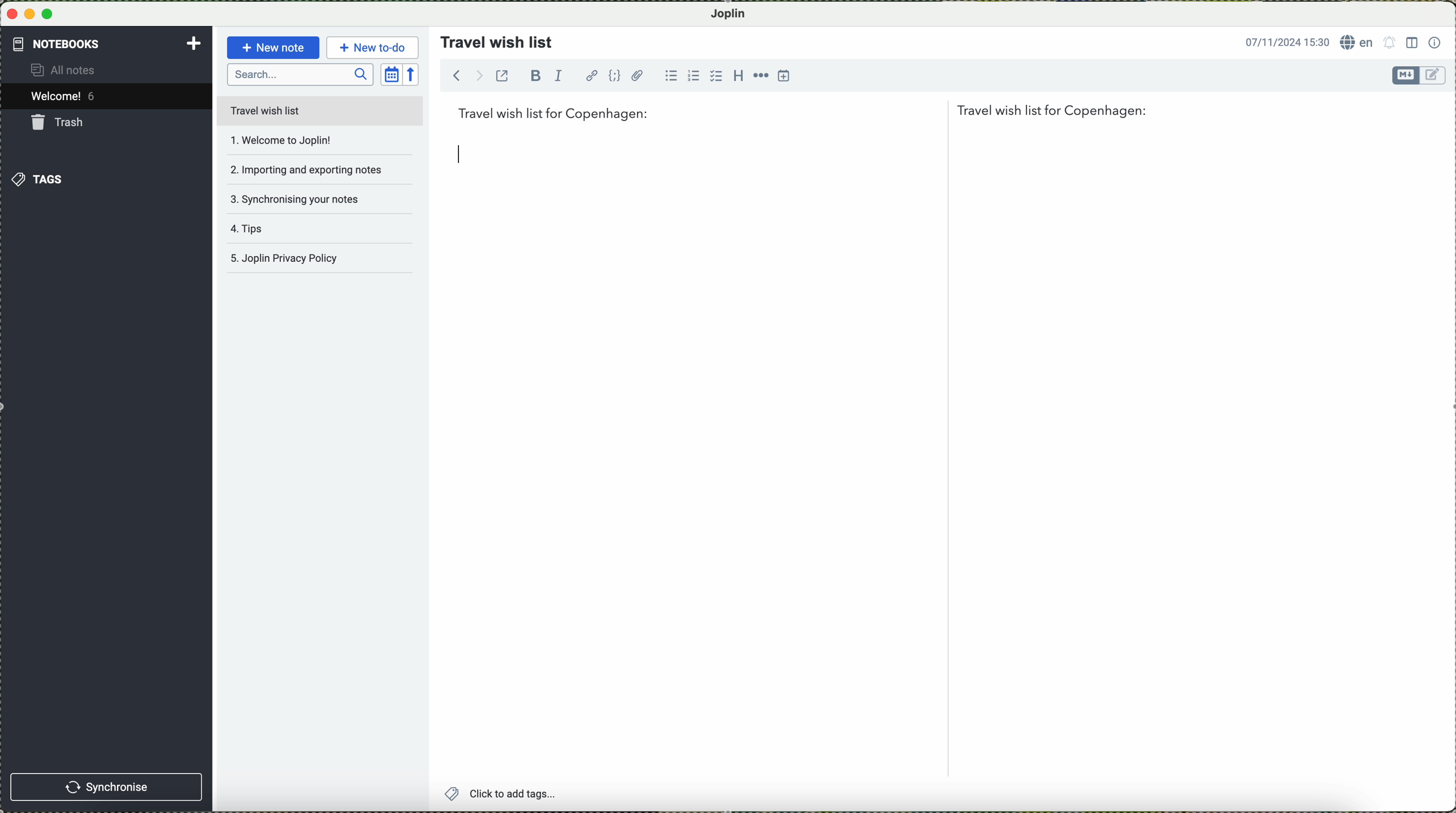 The width and height of the screenshot is (1456, 813). What do you see at coordinates (391, 73) in the screenshot?
I see `toggle sort order field` at bounding box center [391, 73].